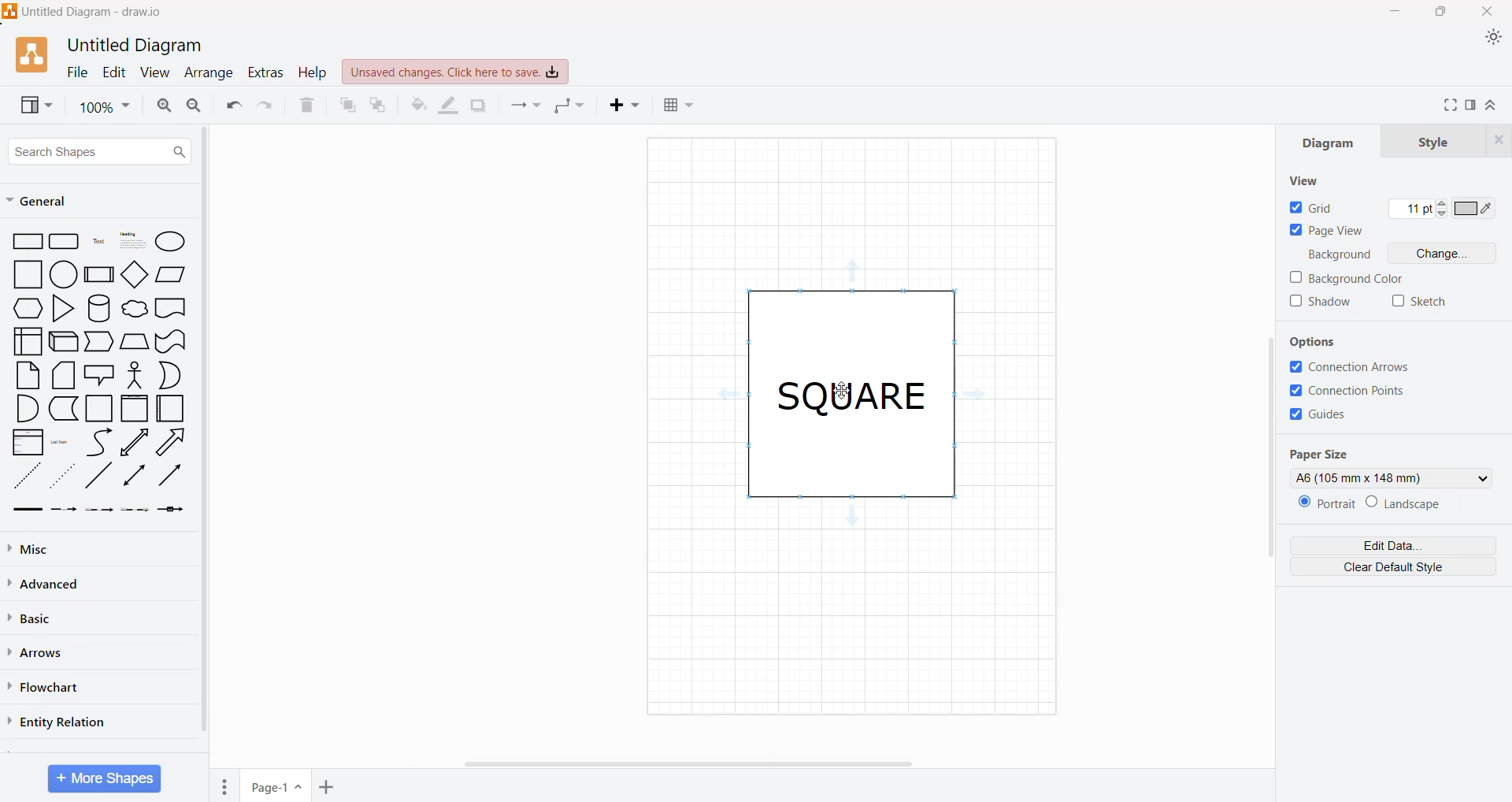 Image resolution: width=1512 pixels, height=802 pixels. What do you see at coordinates (156, 71) in the screenshot?
I see `View` at bounding box center [156, 71].